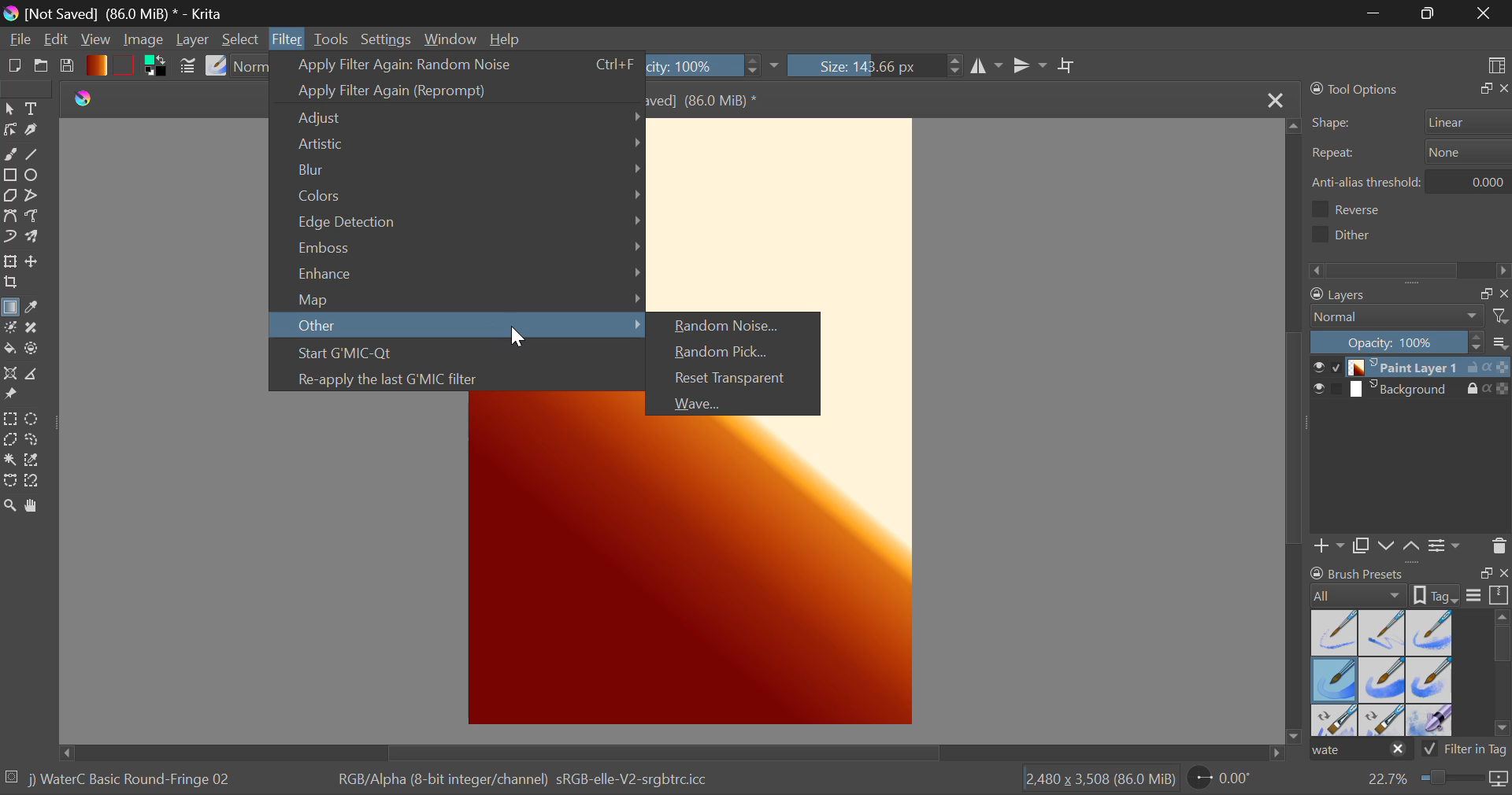 The height and width of the screenshot is (795, 1512). I want to click on close, so click(1503, 89).